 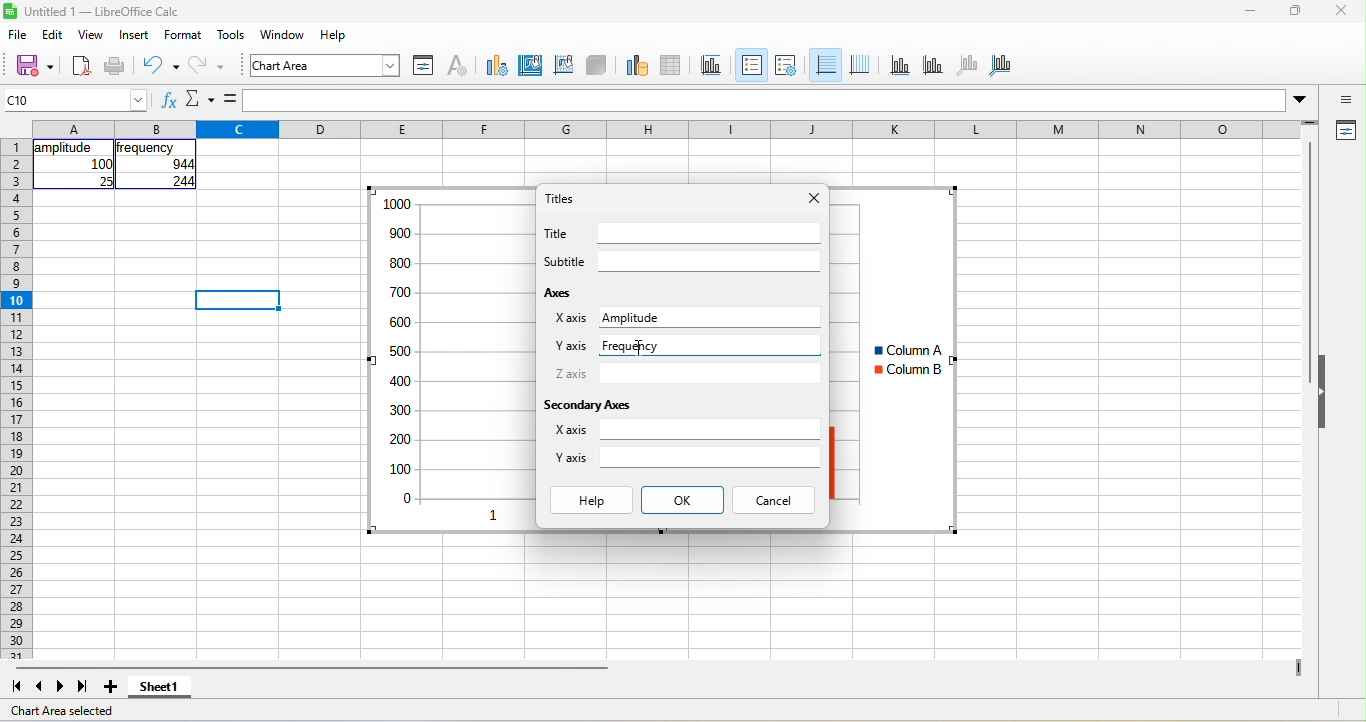 I want to click on character, so click(x=458, y=66).